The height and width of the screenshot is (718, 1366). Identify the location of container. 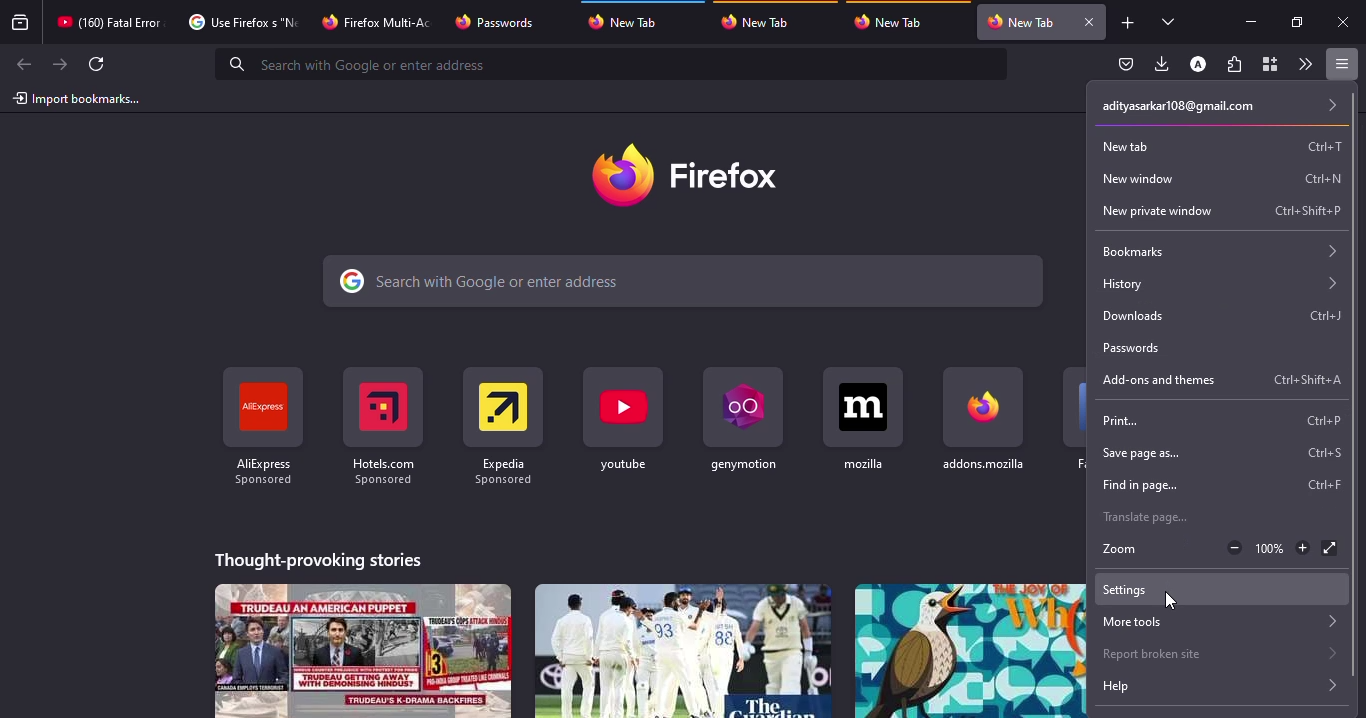
(1268, 65).